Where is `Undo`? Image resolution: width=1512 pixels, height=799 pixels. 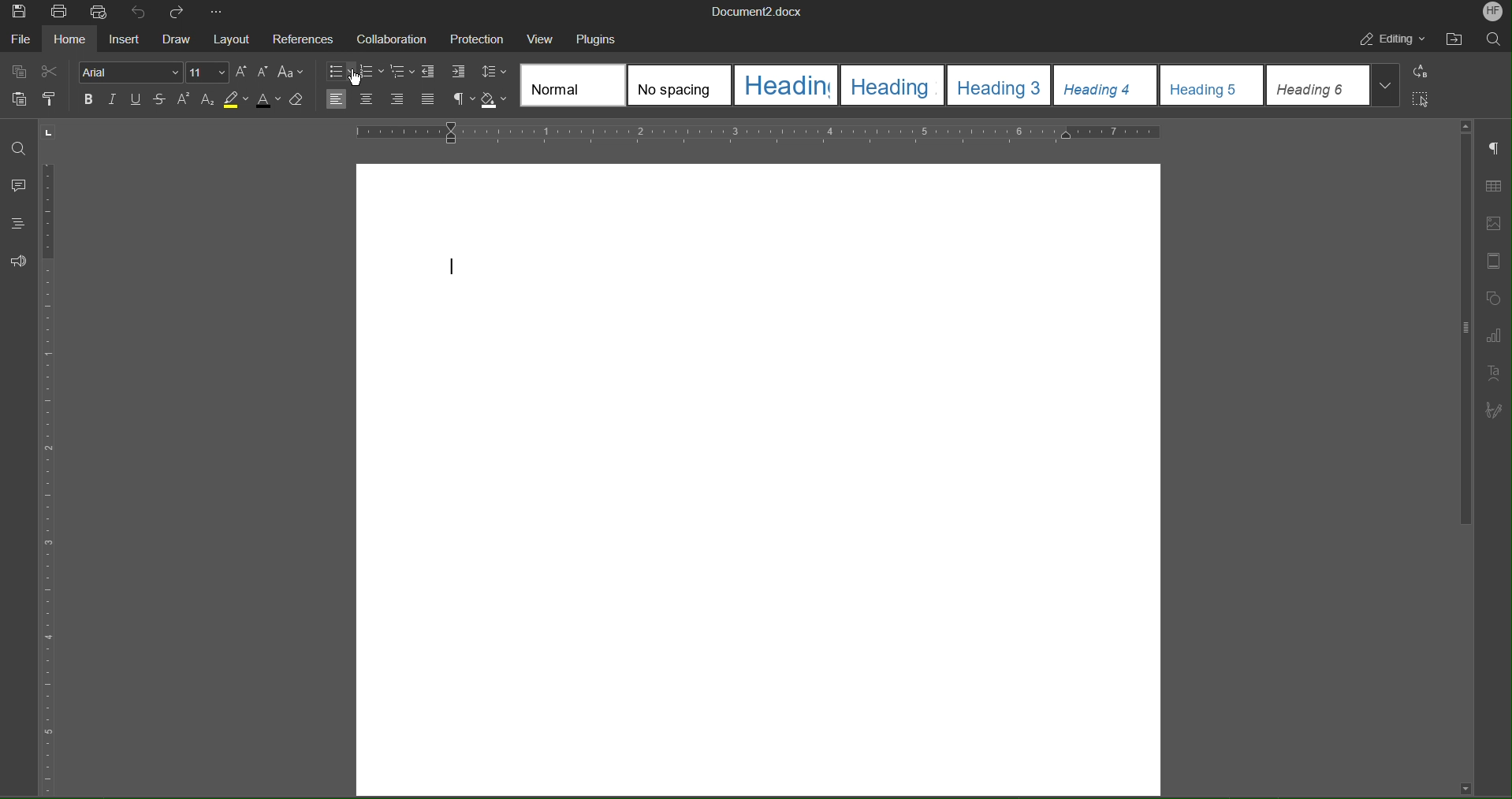
Undo is located at coordinates (140, 14).